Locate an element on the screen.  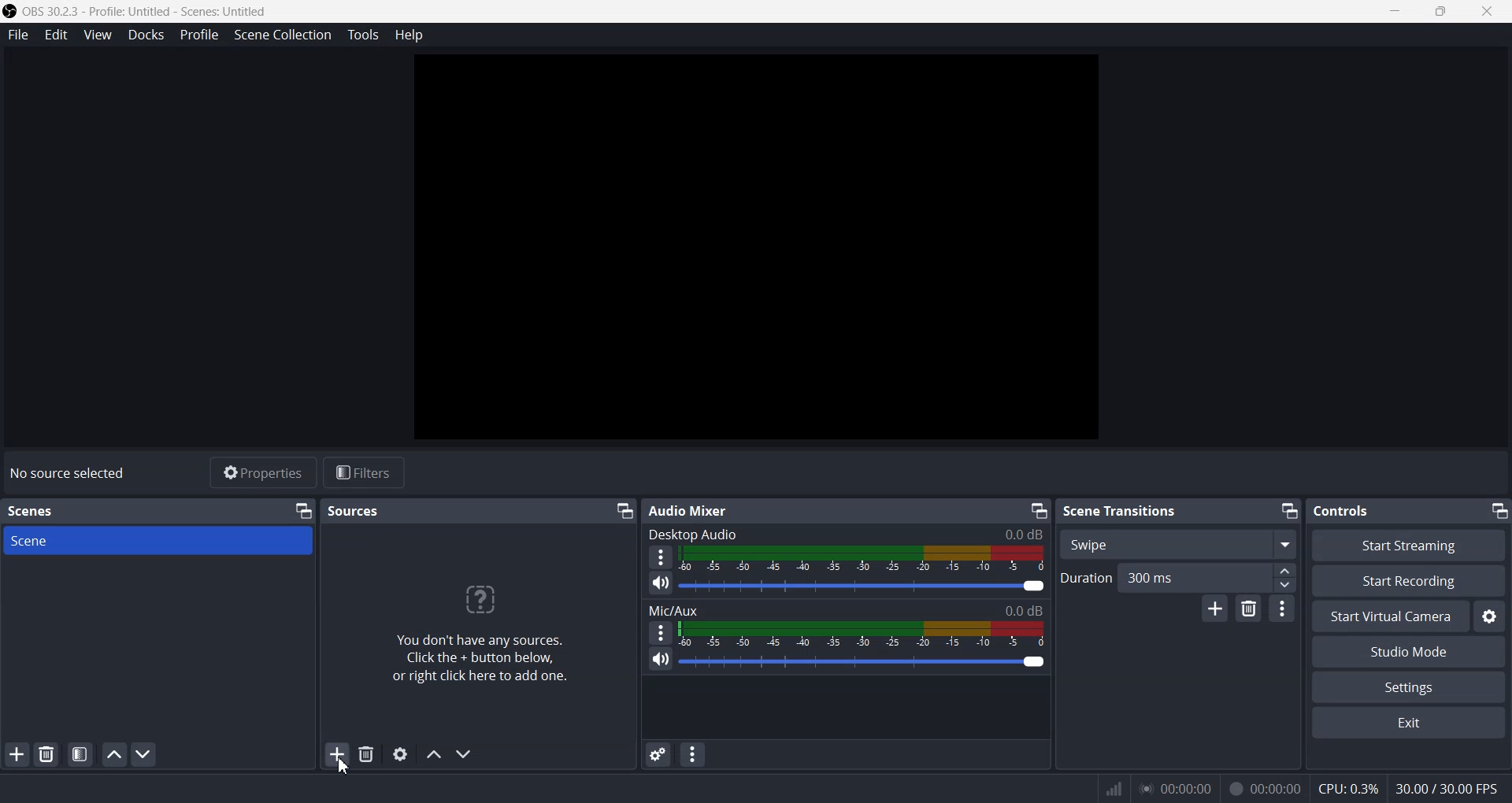
Text is located at coordinates (488, 625).